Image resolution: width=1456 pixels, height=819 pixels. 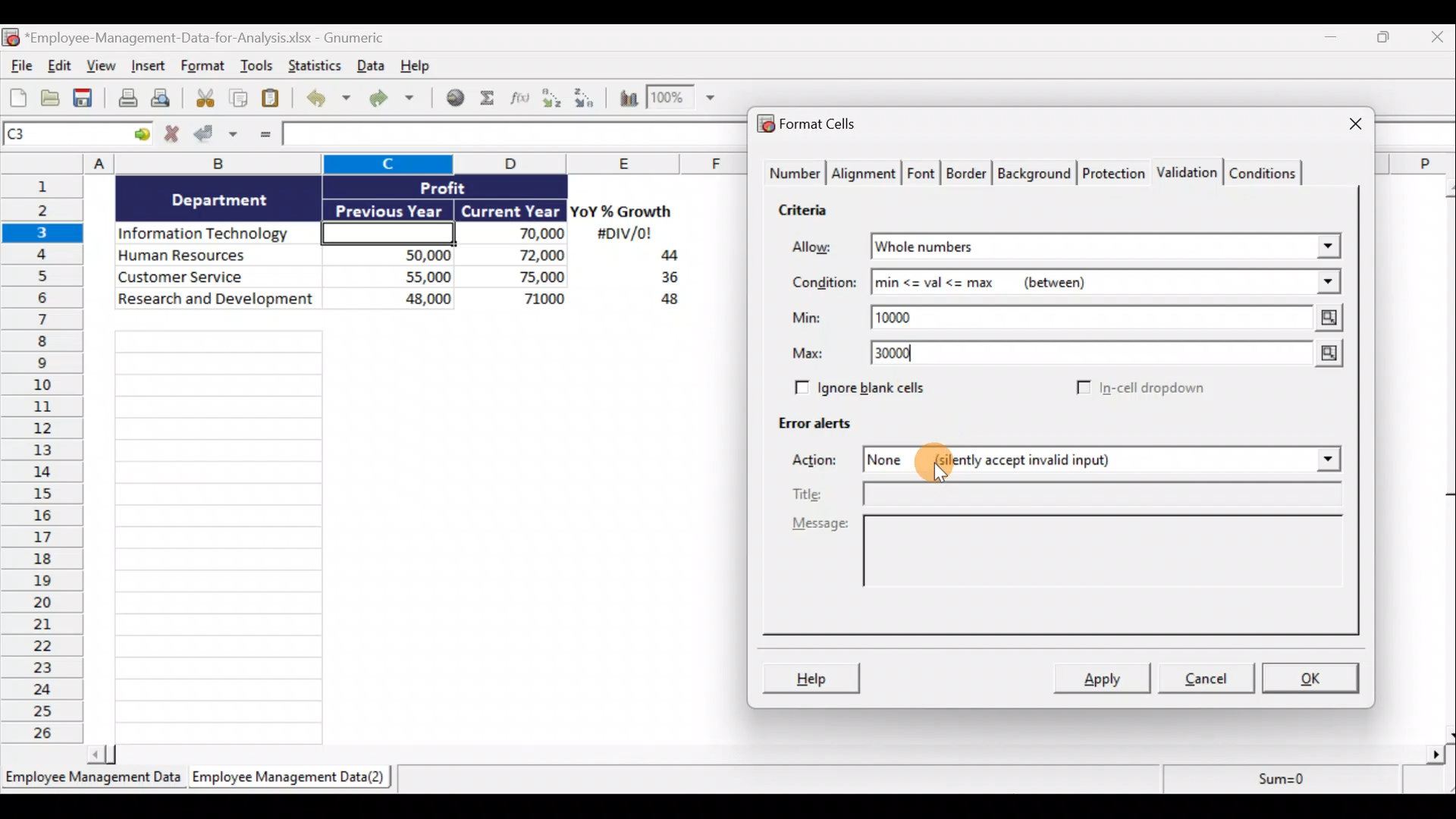 What do you see at coordinates (1103, 679) in the screenshot?
I see `Apply` at bounding box center [1103, 679].